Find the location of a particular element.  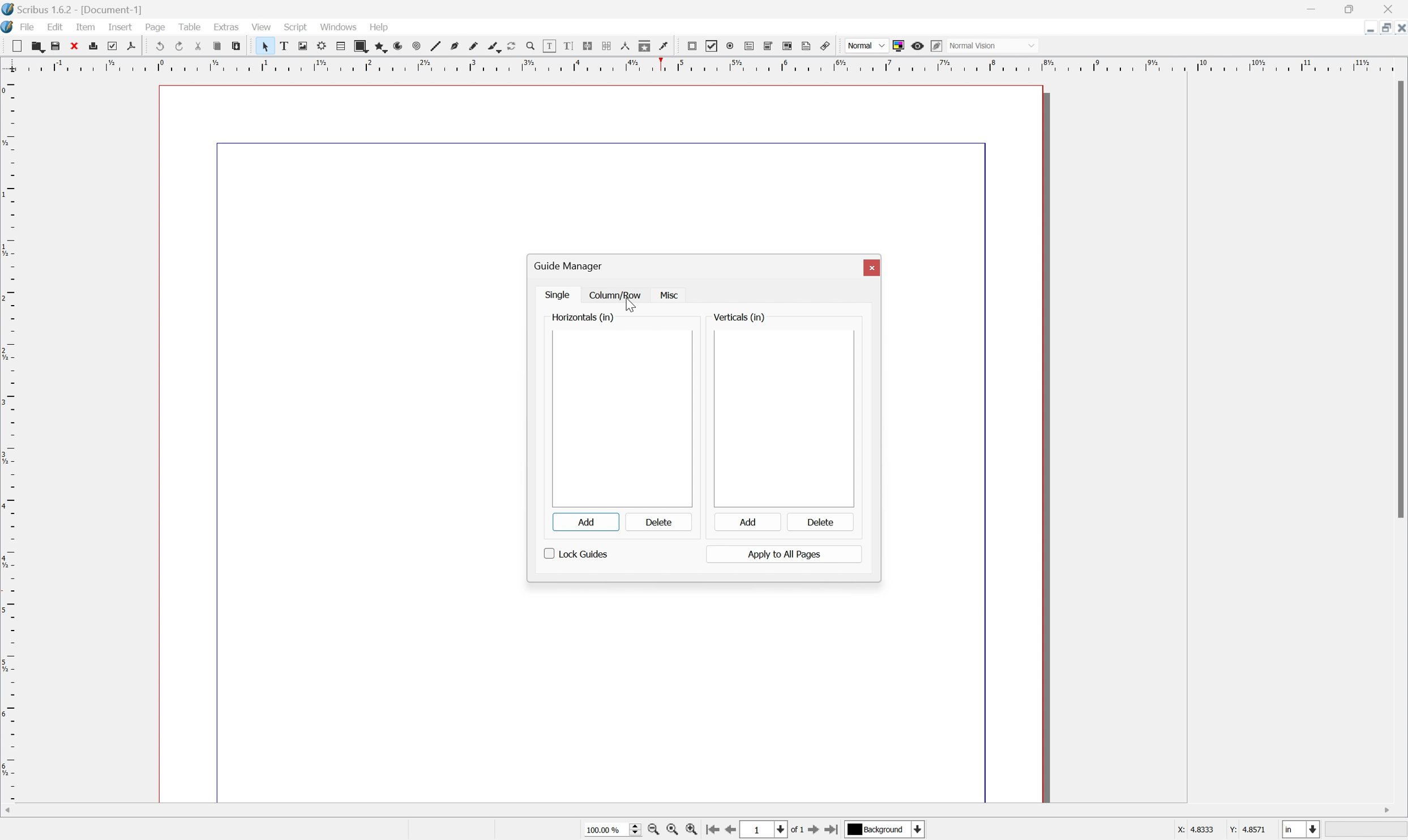

 is located at coordinates (751, 46).